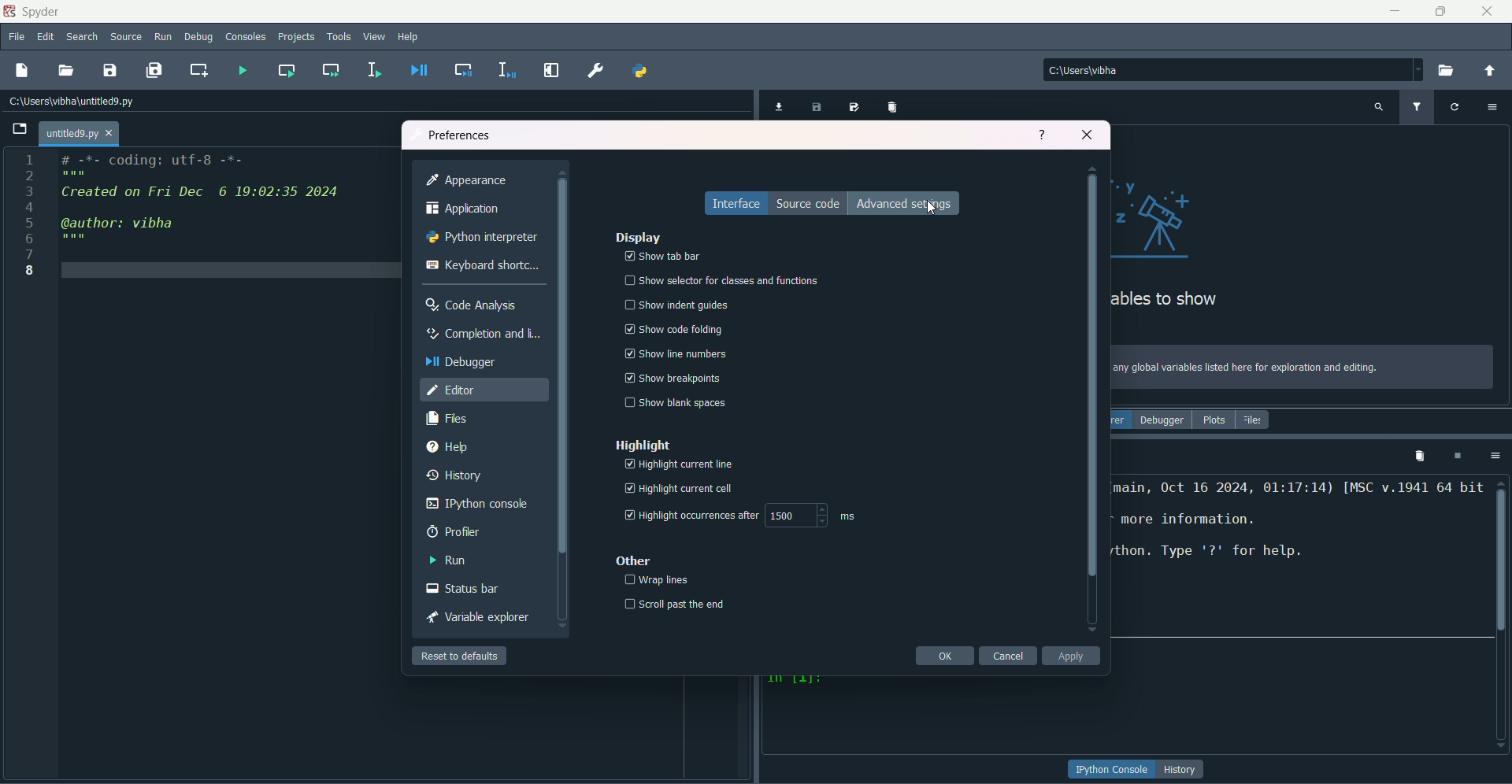 Image resolution: width=1512 pixels, height=784 pixels. What do you see at coordinates (856, 516) in the screenshot?
I see `ms` at bounding box center [856, 516].